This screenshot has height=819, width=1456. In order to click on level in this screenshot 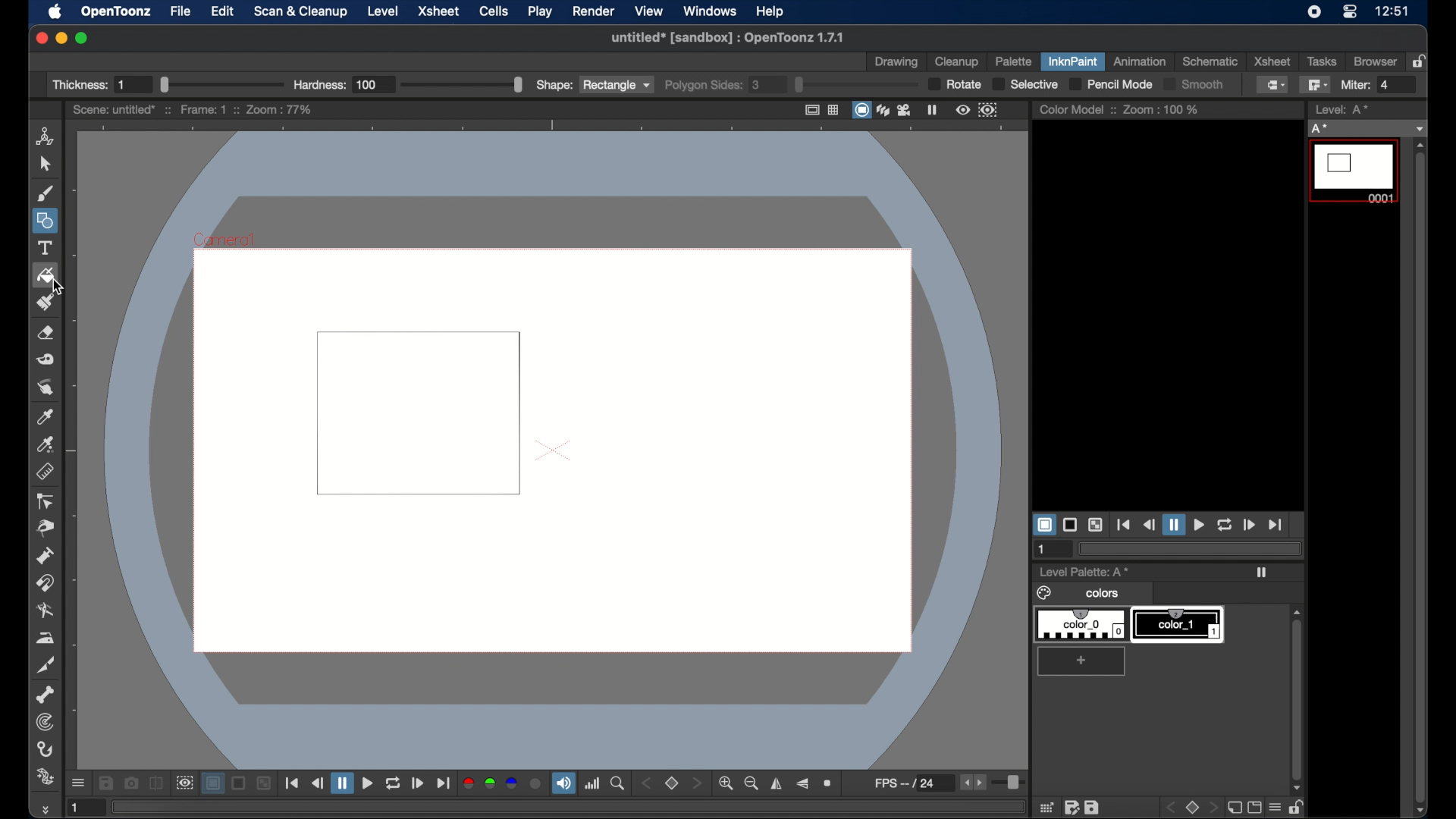, I will do `click(383, 11)`.